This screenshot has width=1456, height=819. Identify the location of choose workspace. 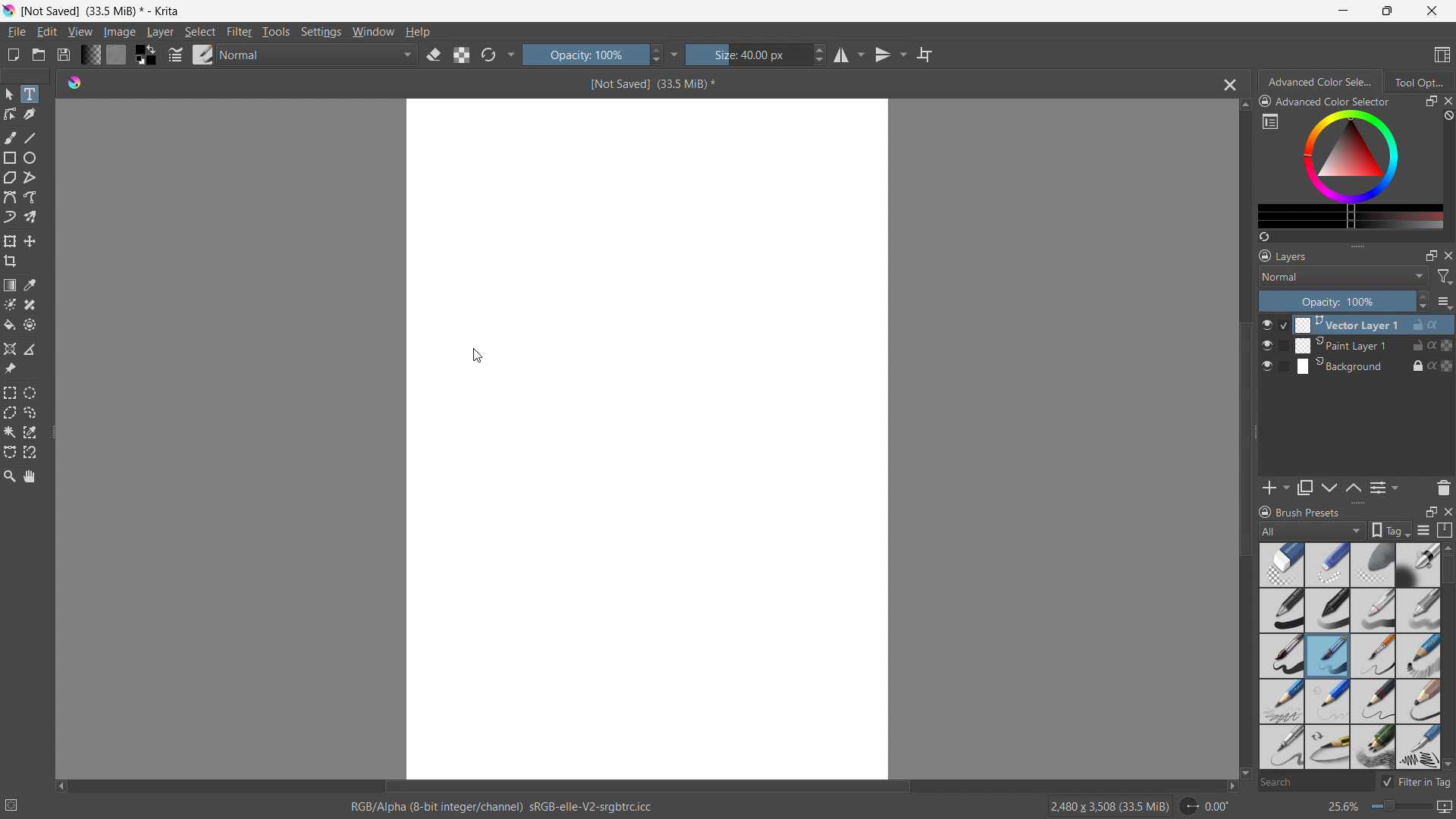
(1442, 55).